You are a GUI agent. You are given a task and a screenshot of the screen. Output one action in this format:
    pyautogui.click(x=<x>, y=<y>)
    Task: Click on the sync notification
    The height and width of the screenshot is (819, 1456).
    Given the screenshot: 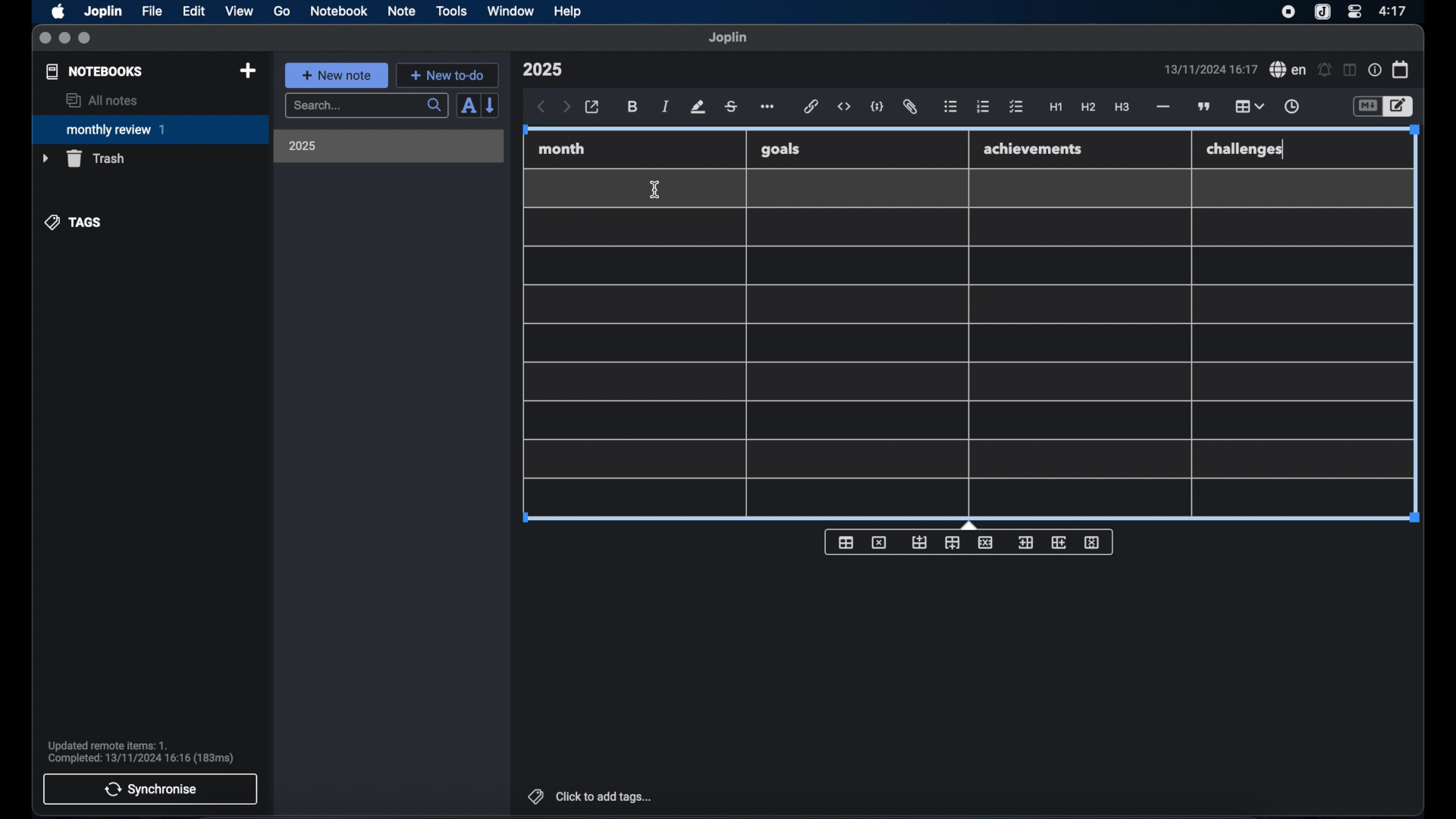 What is the action you would take?
    pyautogui.click(x=141, y=752)
    